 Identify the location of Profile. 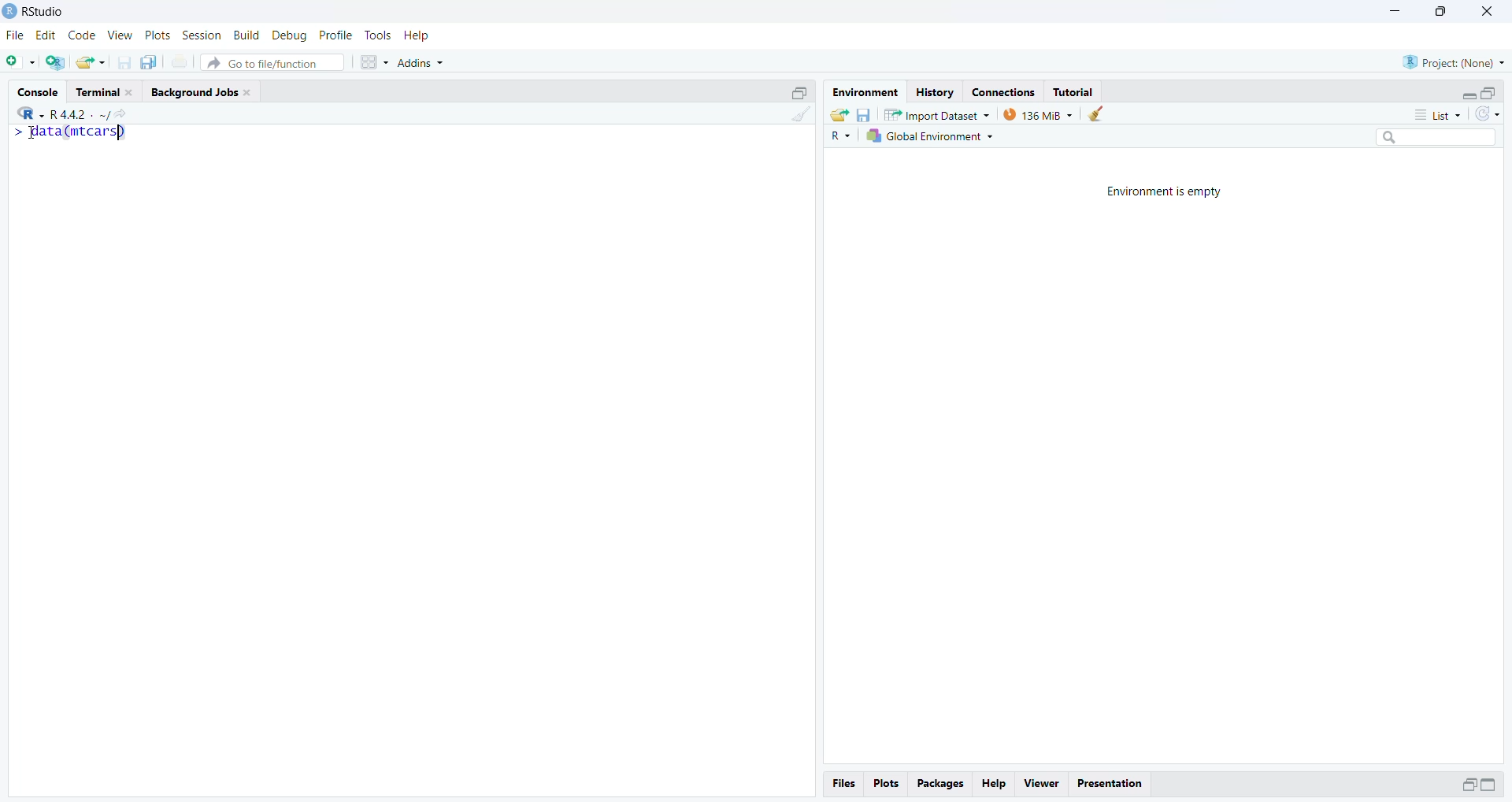
(336, 35).